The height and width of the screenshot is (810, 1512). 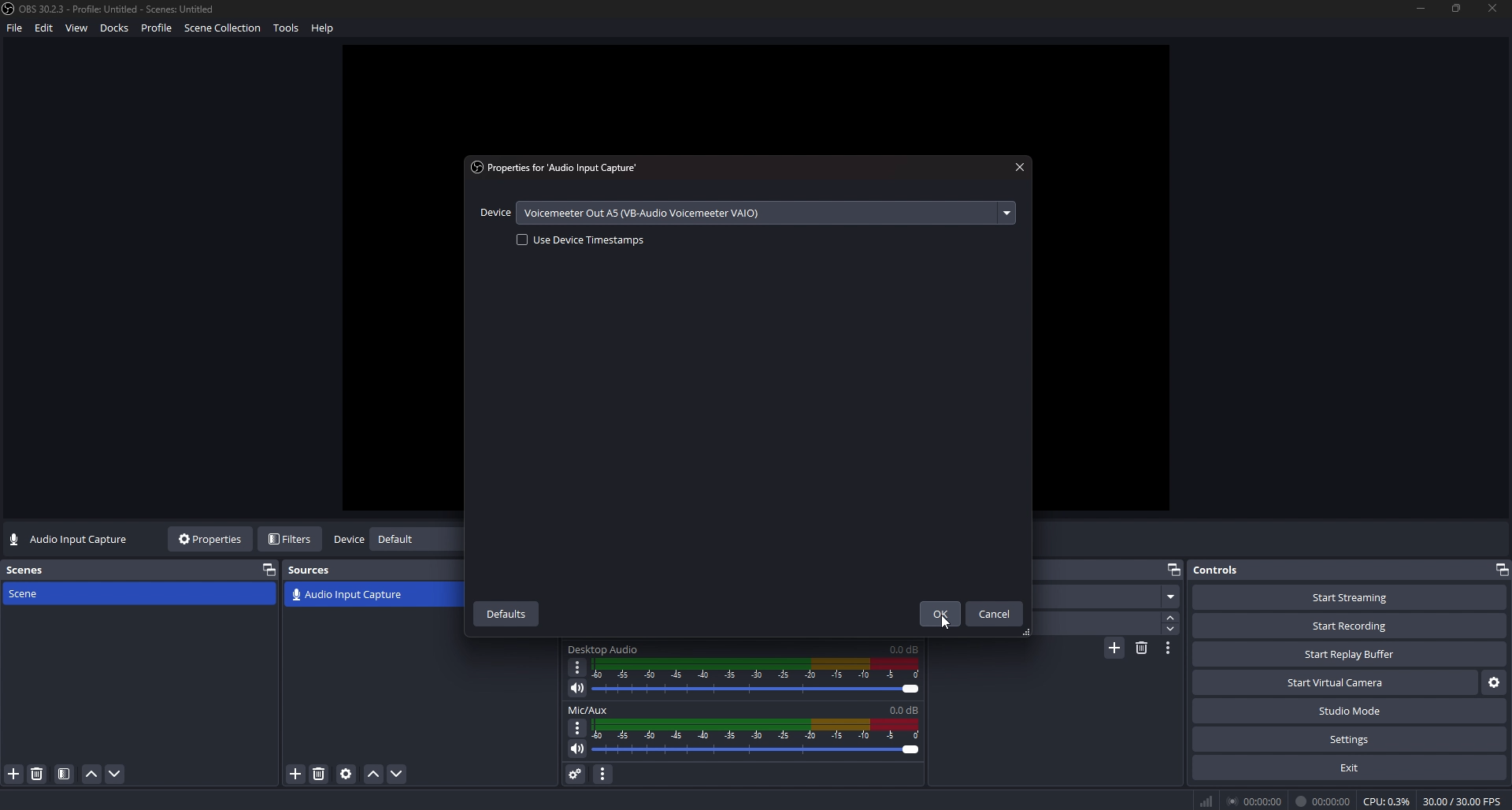 What do you see at coordinates (45, 31) in the screenshot?
I see `Edit` at bounding box center [45, 31].